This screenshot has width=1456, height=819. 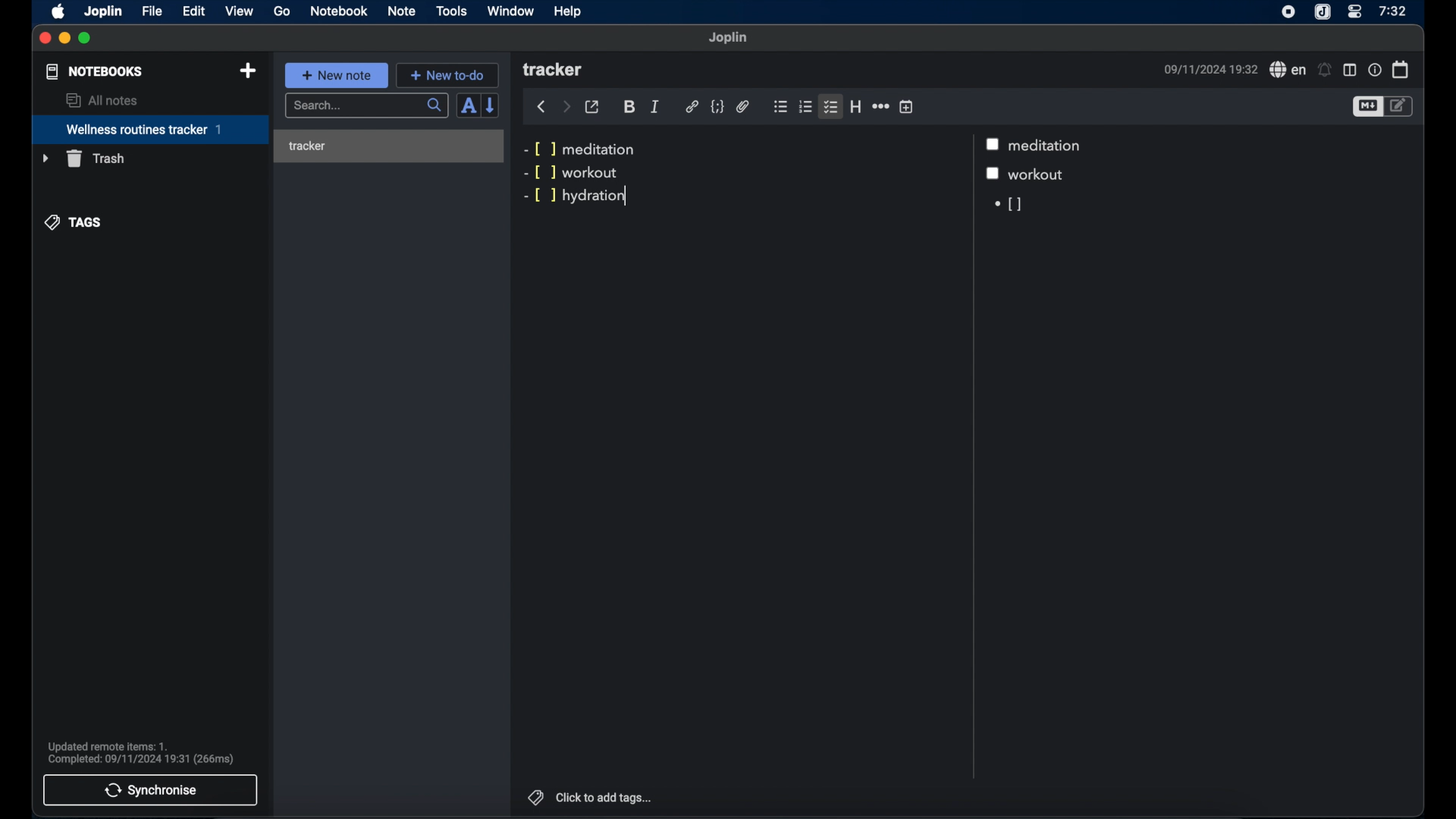 What do you see at coordinates (402, 12) in the screenshot?
I see `note` at bounding box center [402, 12].